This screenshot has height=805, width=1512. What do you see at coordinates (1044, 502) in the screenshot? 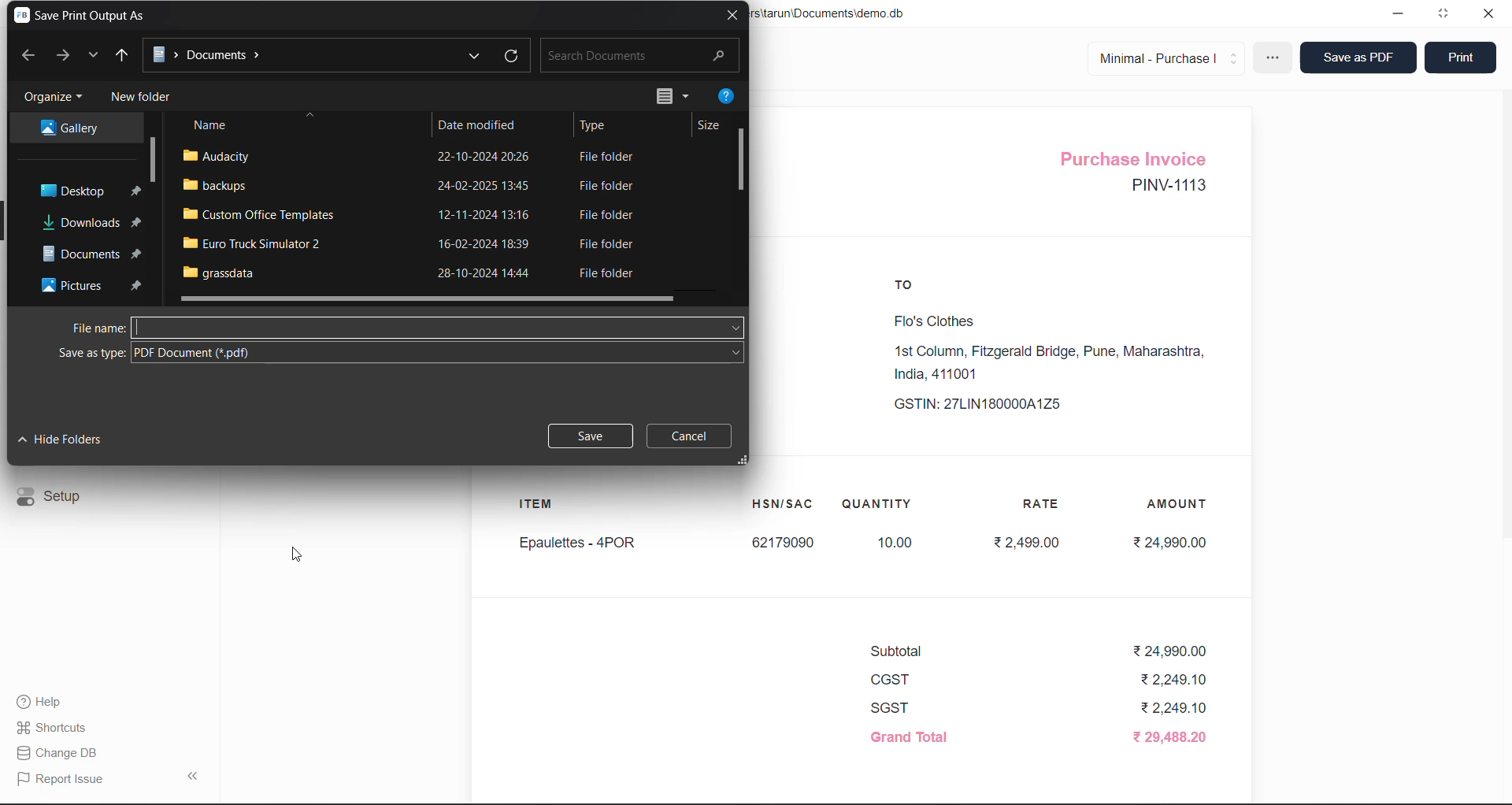
I see `RATE` at bounding box center [1044, 502].